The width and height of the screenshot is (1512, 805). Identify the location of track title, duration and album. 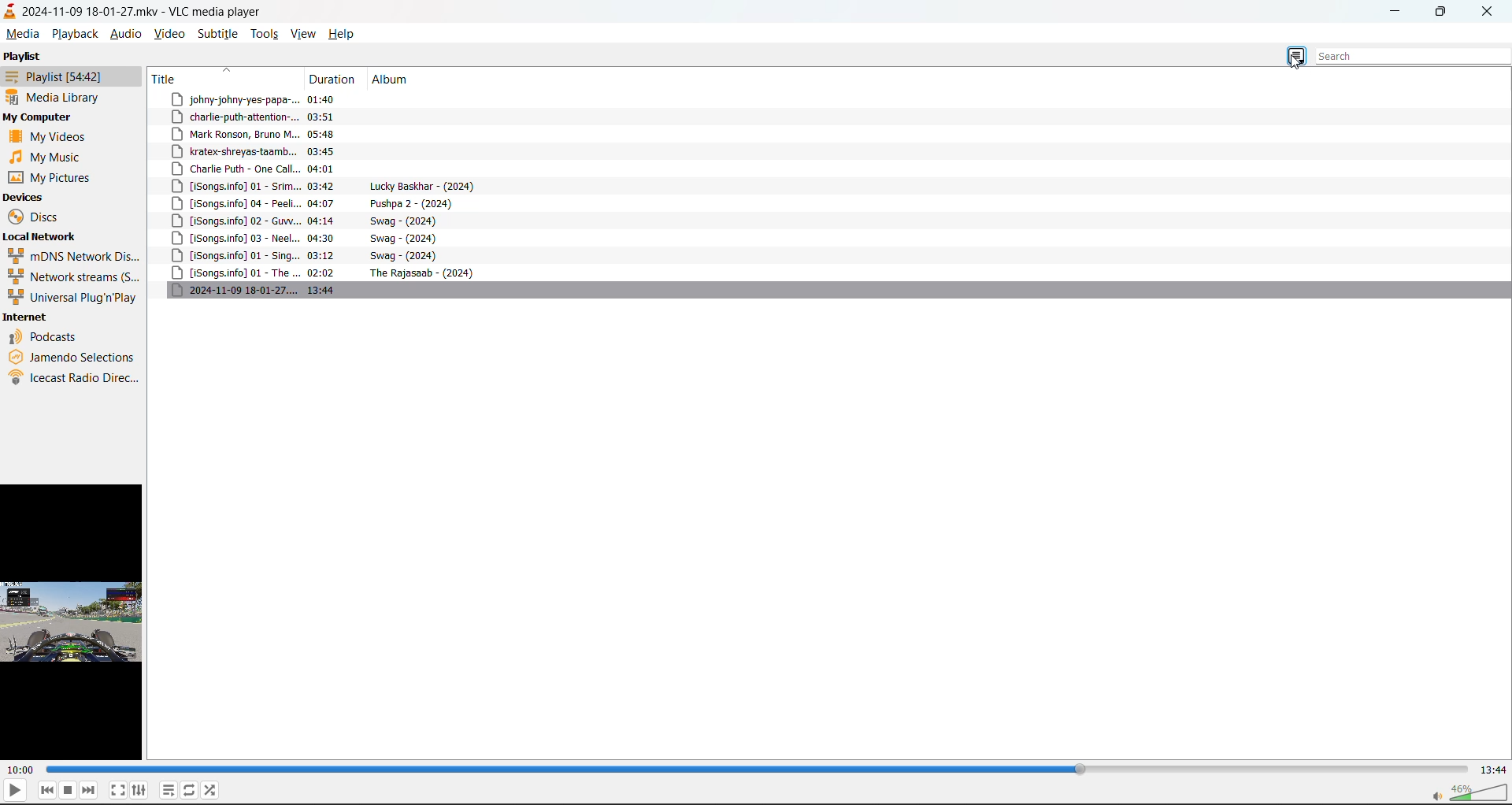
(322, 203).